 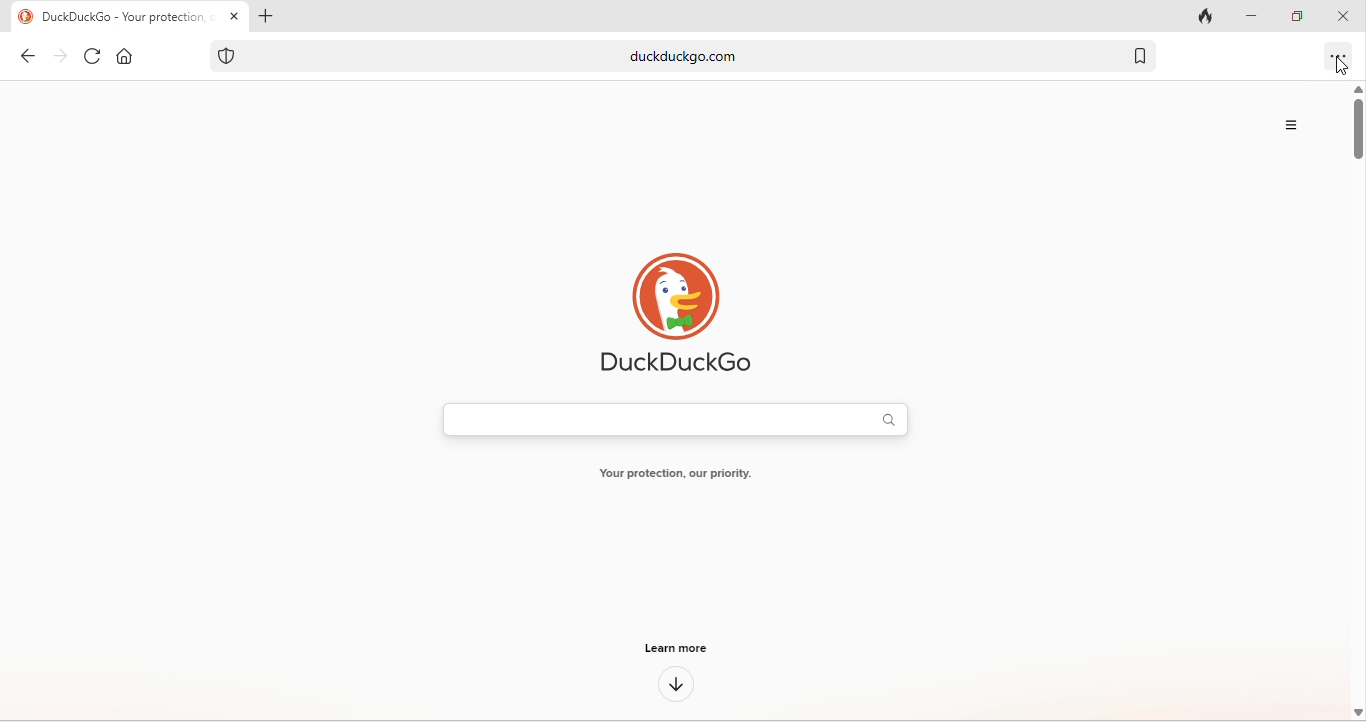 What do you see at coordinates (1356, 712) in the screenshot?
I see `scroll down` at bounding box center [1356, 712].